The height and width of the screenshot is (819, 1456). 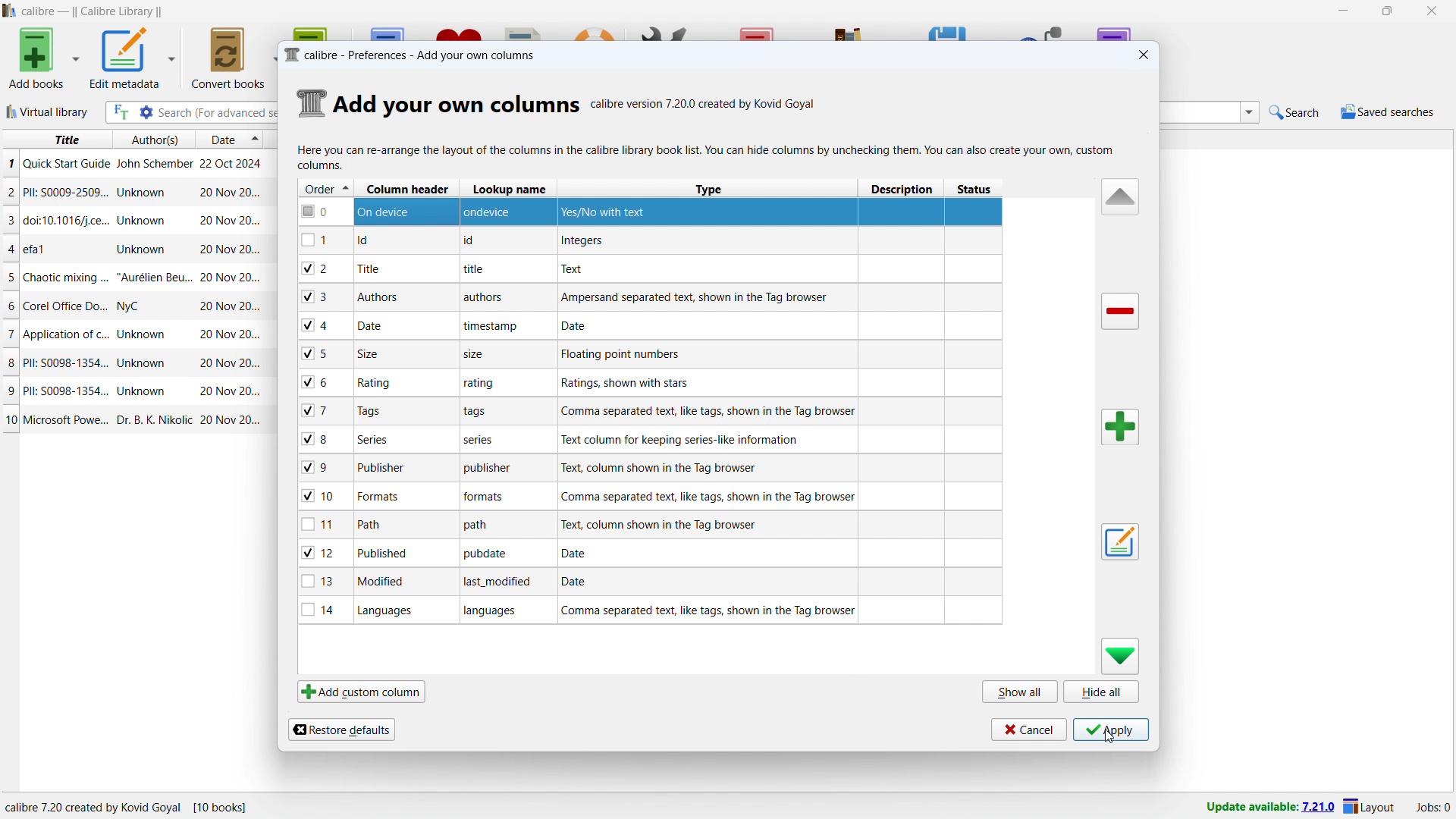 I want to click on v/12 Published pubdate Date, so click(x=649, y=555).